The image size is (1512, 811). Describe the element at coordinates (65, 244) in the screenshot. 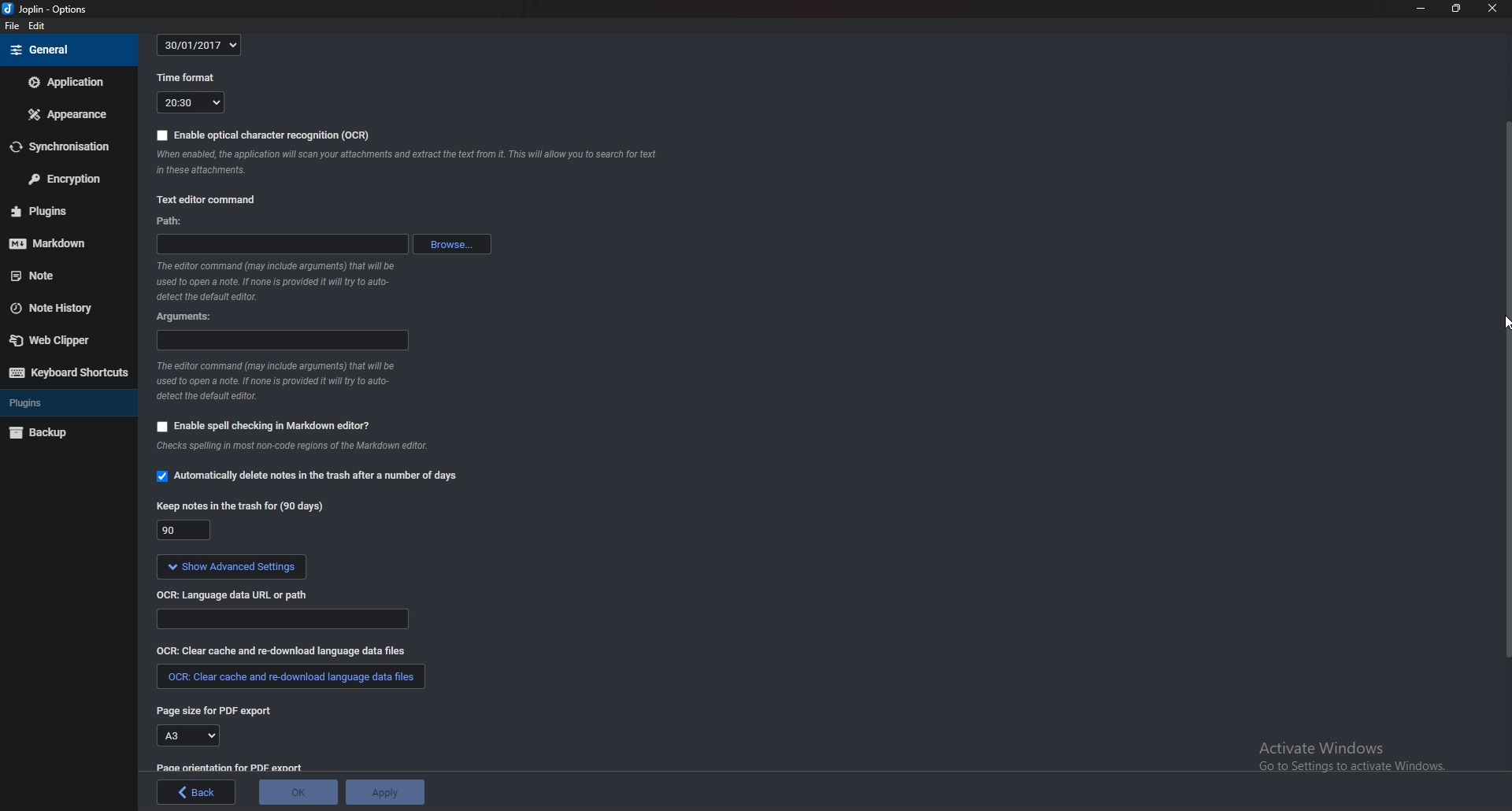

I see `markdown` at that location.